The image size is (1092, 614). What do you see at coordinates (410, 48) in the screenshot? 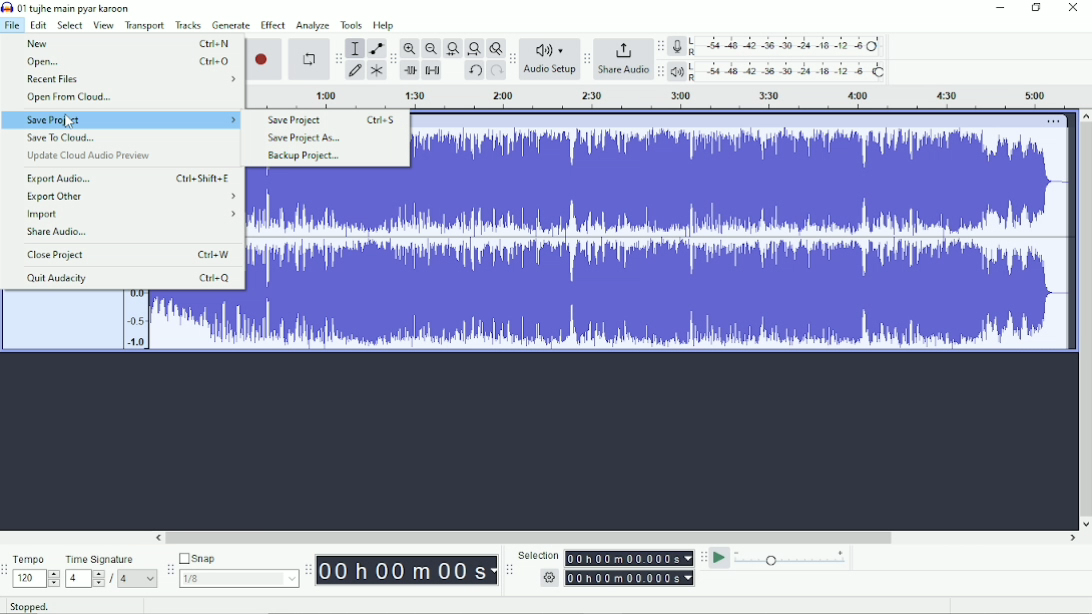
I see `Zoom In` at bounding box center [410, 48].